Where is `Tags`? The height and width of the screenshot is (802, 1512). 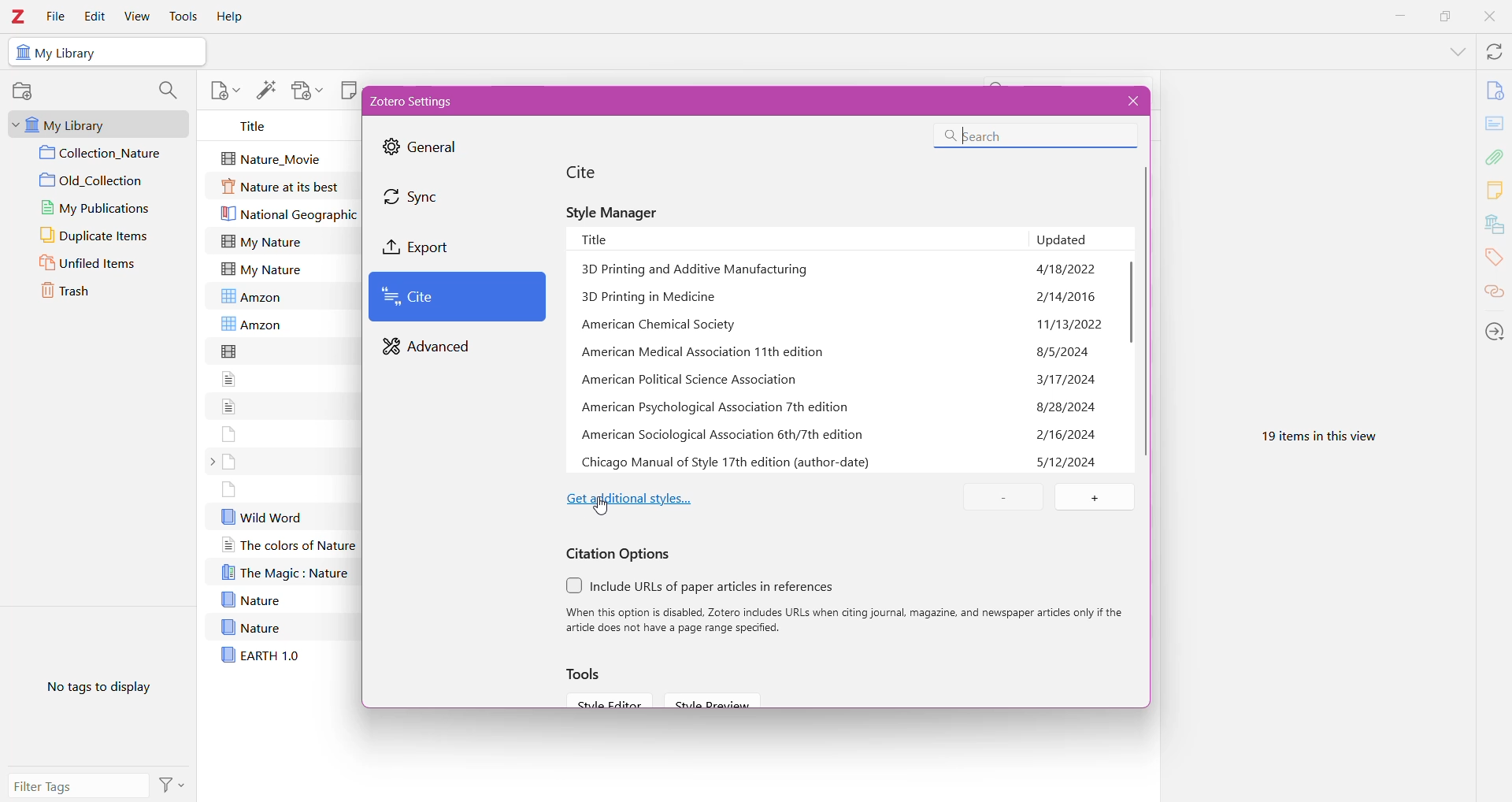
Tags is located at coordinates (1495, 260).